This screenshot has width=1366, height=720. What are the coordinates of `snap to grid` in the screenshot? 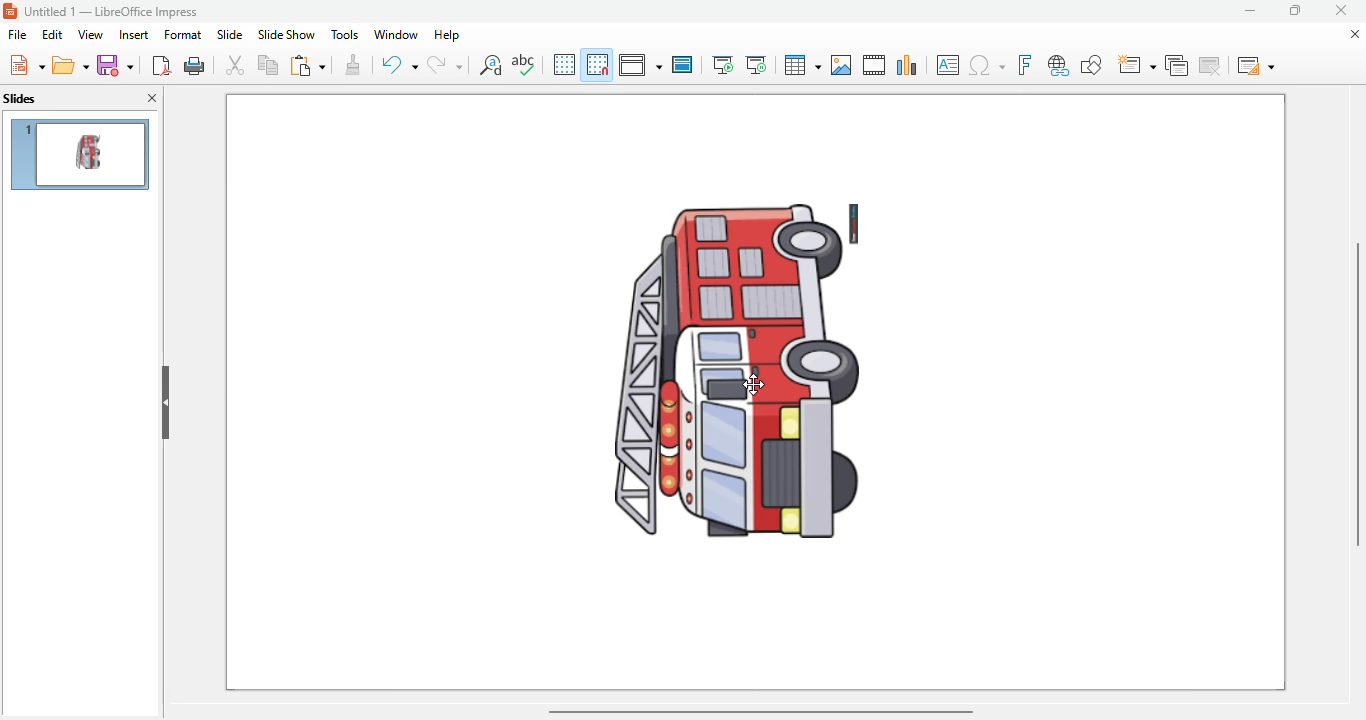 It's located at (598, 64).